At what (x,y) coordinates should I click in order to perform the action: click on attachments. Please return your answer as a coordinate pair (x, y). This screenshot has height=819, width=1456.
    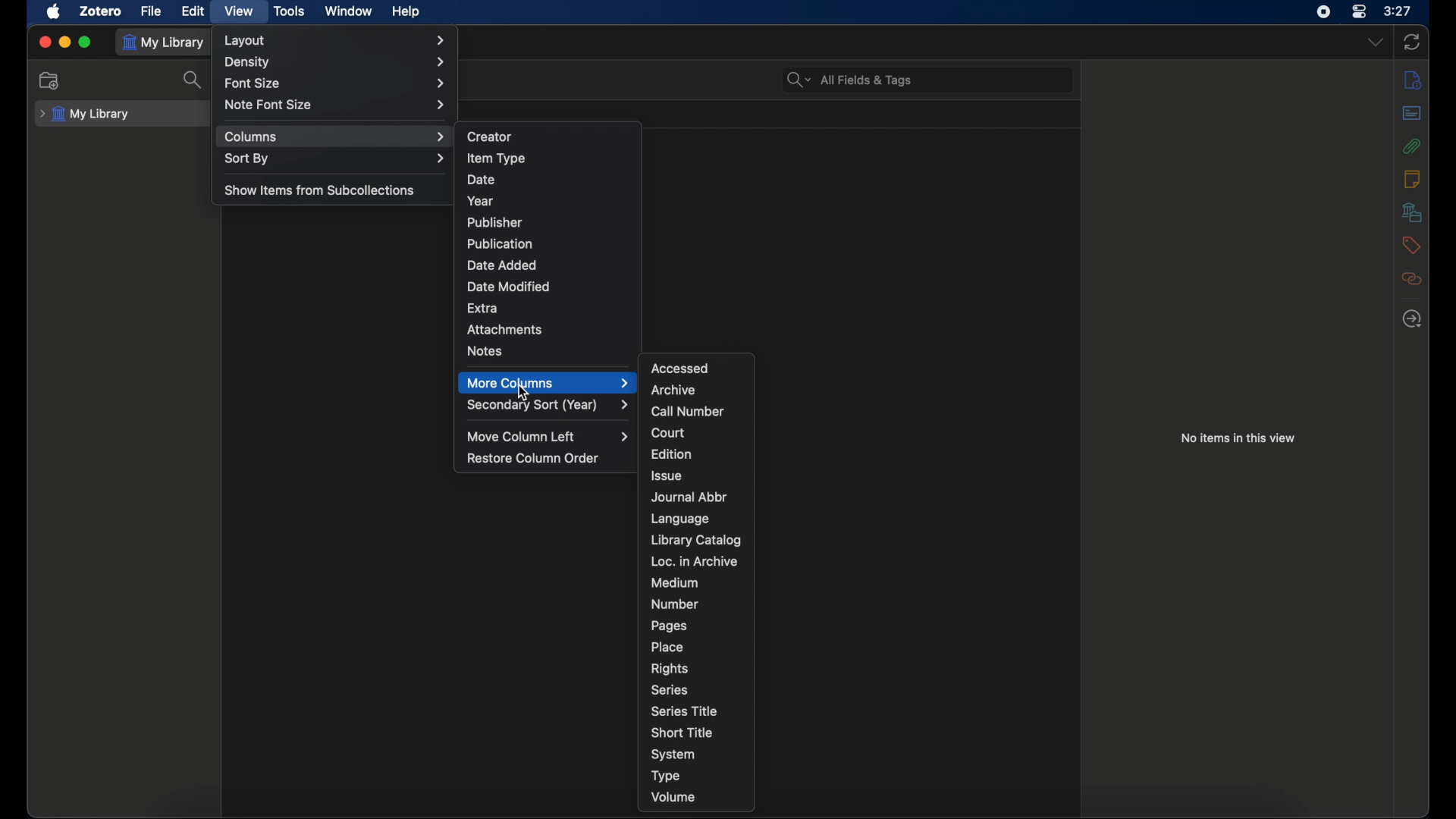
    Looking at the image, I should click on (505, 328).